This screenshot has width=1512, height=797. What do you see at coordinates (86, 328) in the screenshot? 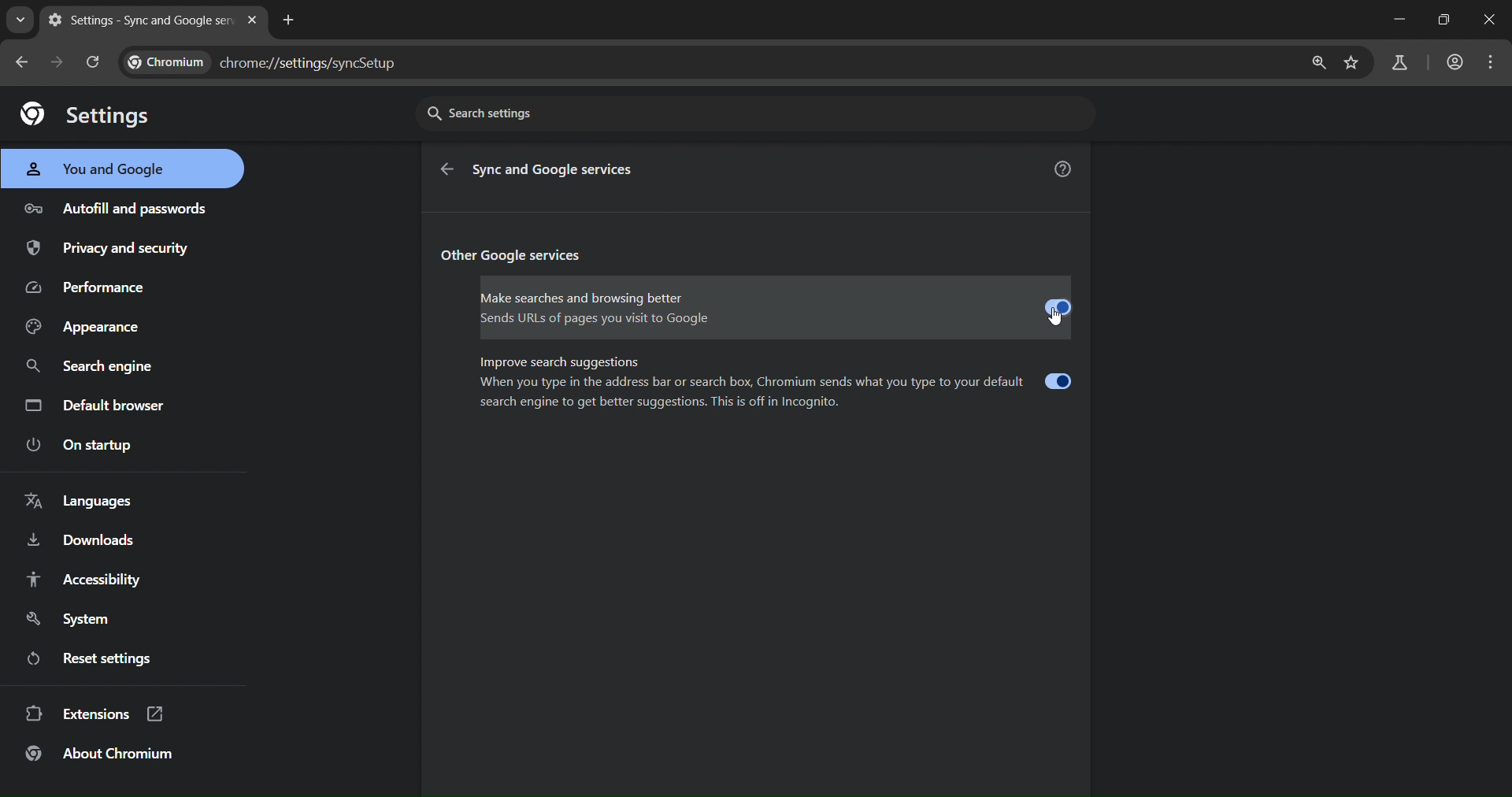
I see `appearance` at bounding box center [86, 328].